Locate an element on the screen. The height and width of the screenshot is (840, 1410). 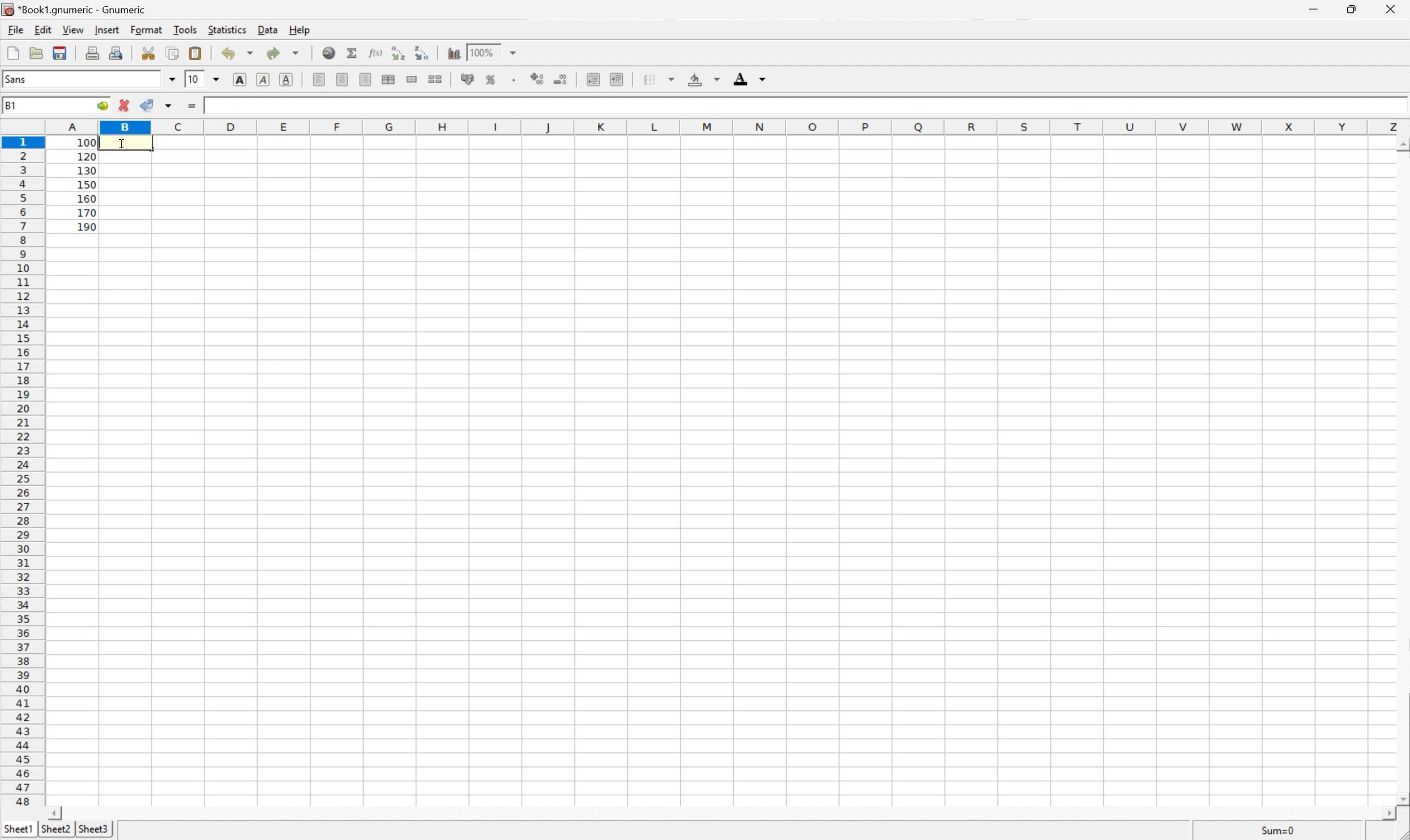
Insert a chart is located at coordinates (453, 52).